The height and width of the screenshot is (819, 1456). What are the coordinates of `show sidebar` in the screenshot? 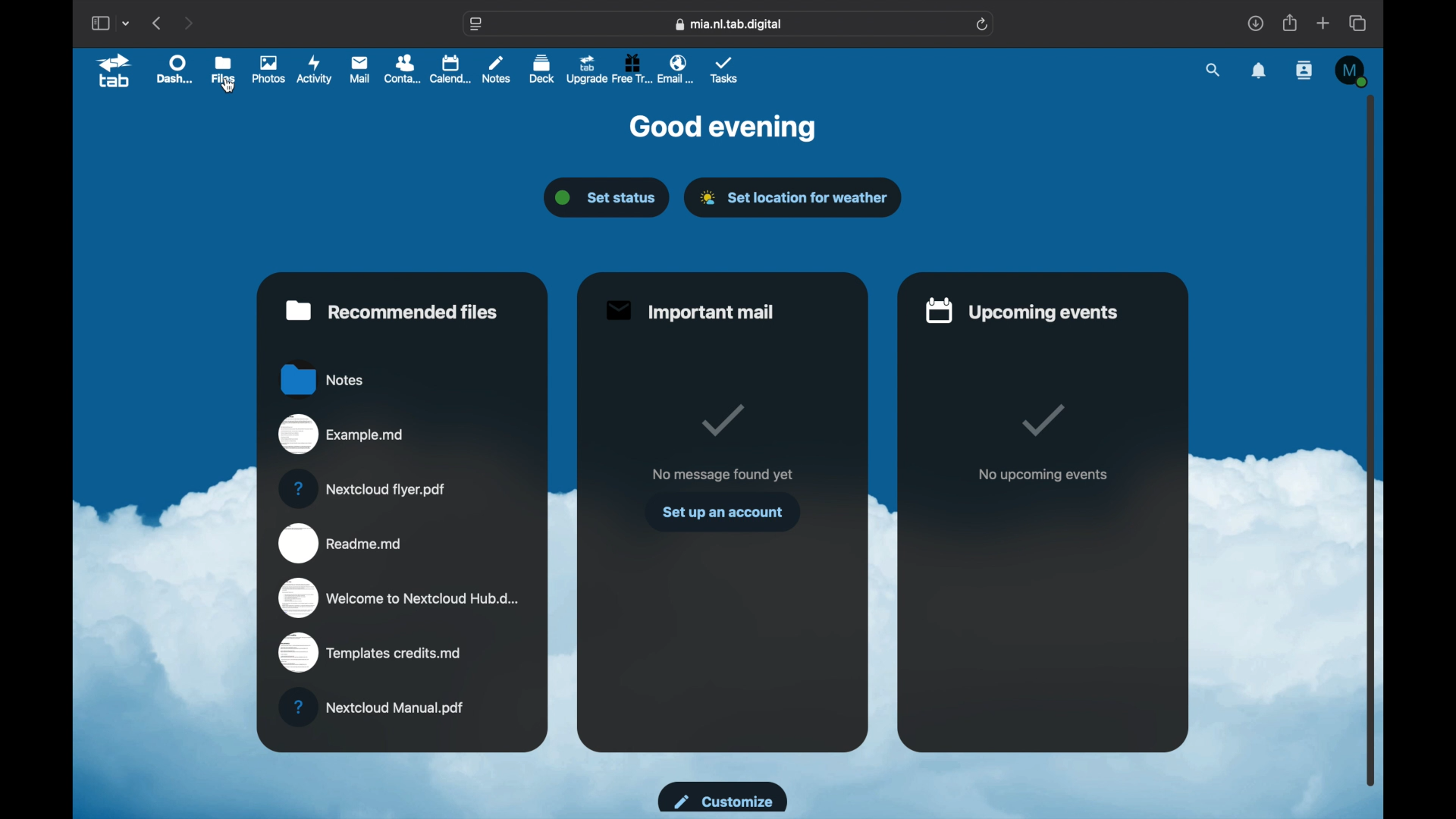 It's located at (99, 23).